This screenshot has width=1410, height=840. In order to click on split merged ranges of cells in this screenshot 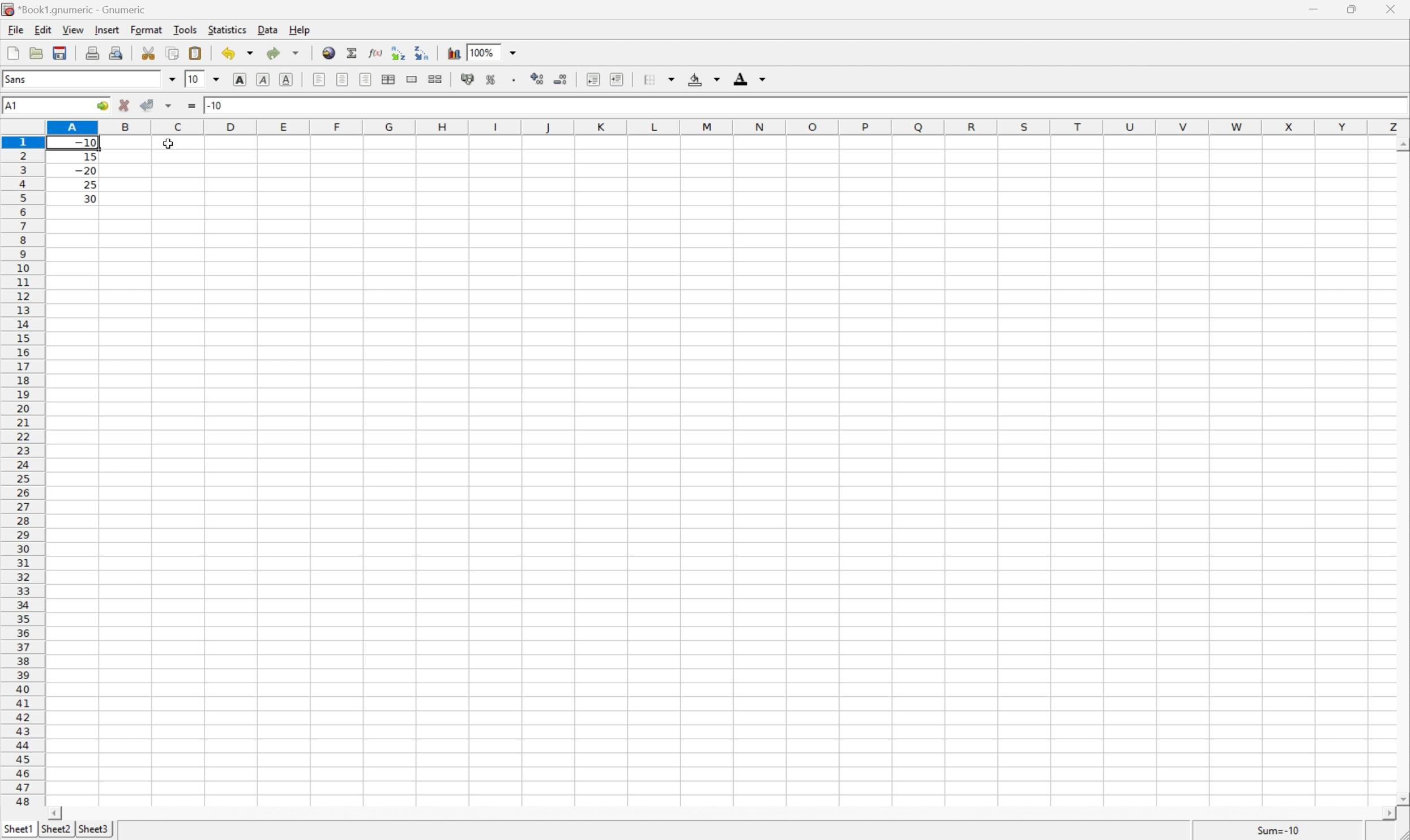, I will do `click(435, 78)`.